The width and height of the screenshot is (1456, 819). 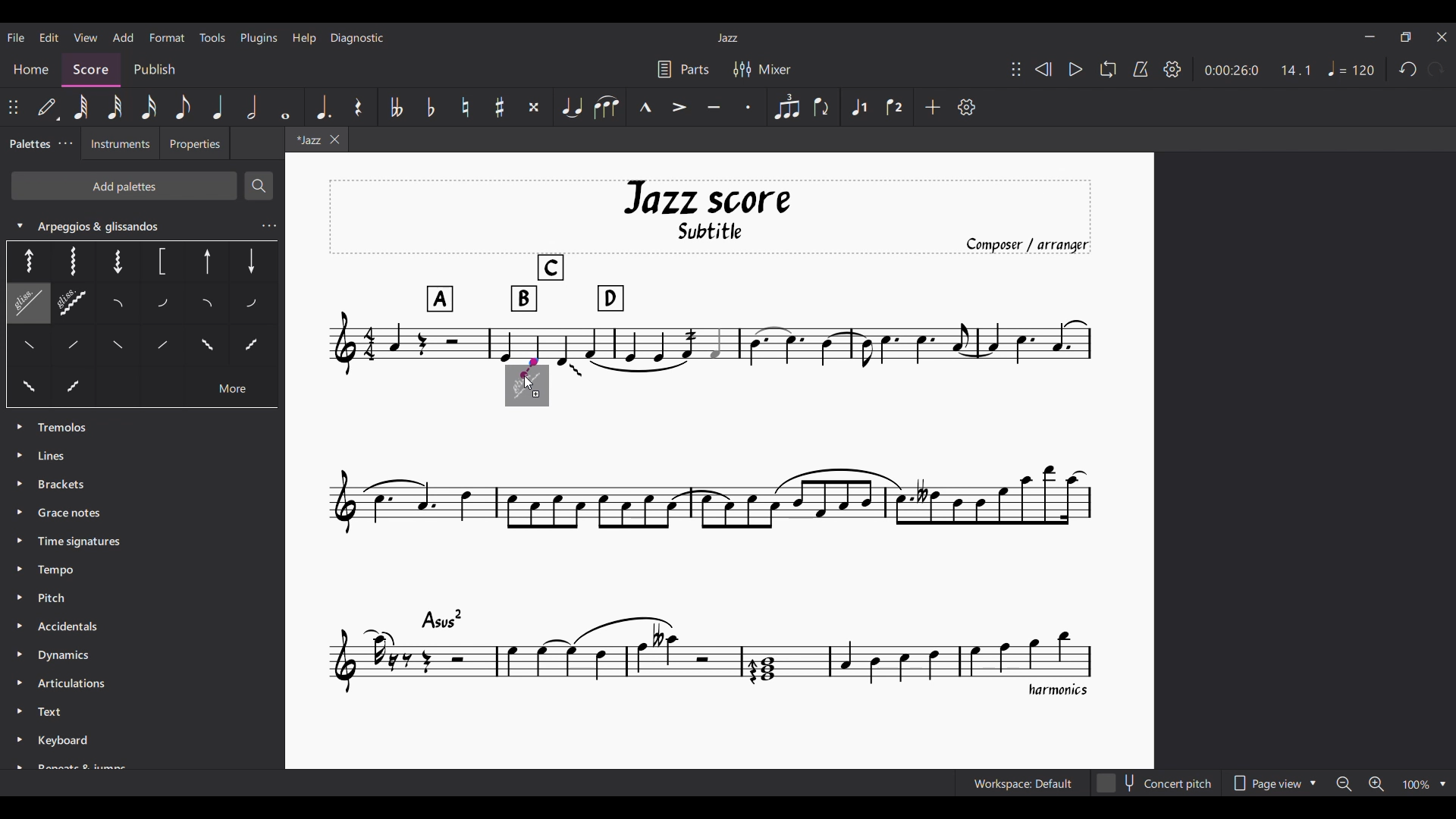 What do you see at coordinates (53, 596) in the screenshot?
I see `Pitch` at bounding box center [53, 596].